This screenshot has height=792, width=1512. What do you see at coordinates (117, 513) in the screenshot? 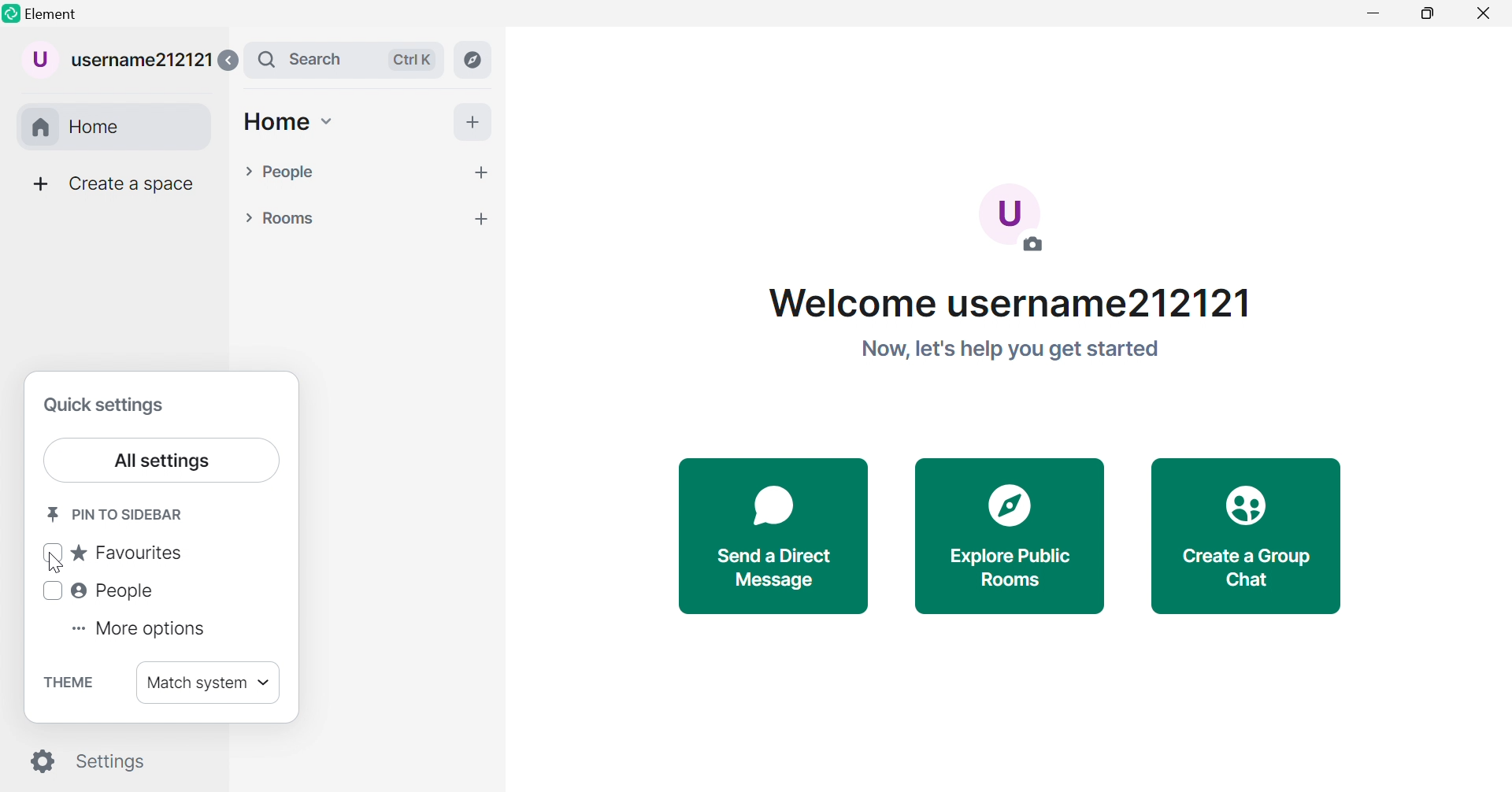
I see `Pin to sidebar` at bounding box center [117, 513].